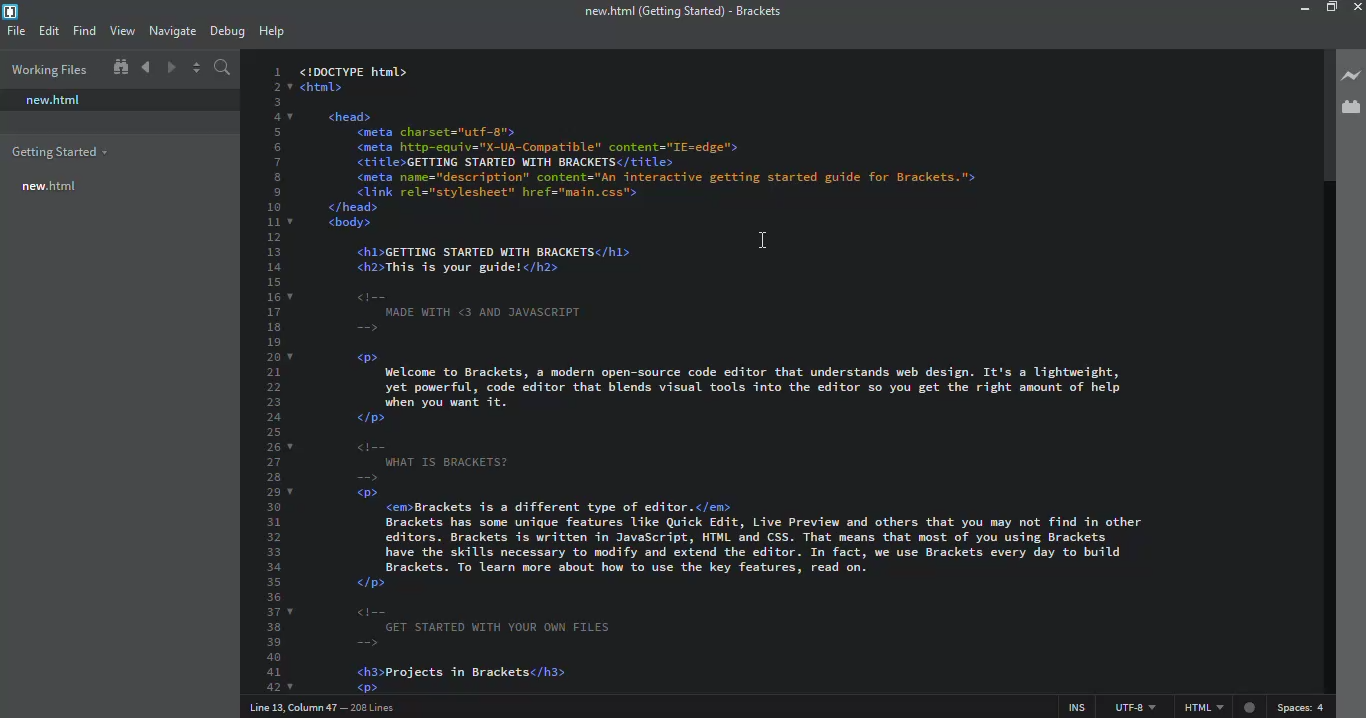  What do you see at coordinates (172, 67) in the screenshot?
I see `navigate forward` at bounding box center [172, 67].